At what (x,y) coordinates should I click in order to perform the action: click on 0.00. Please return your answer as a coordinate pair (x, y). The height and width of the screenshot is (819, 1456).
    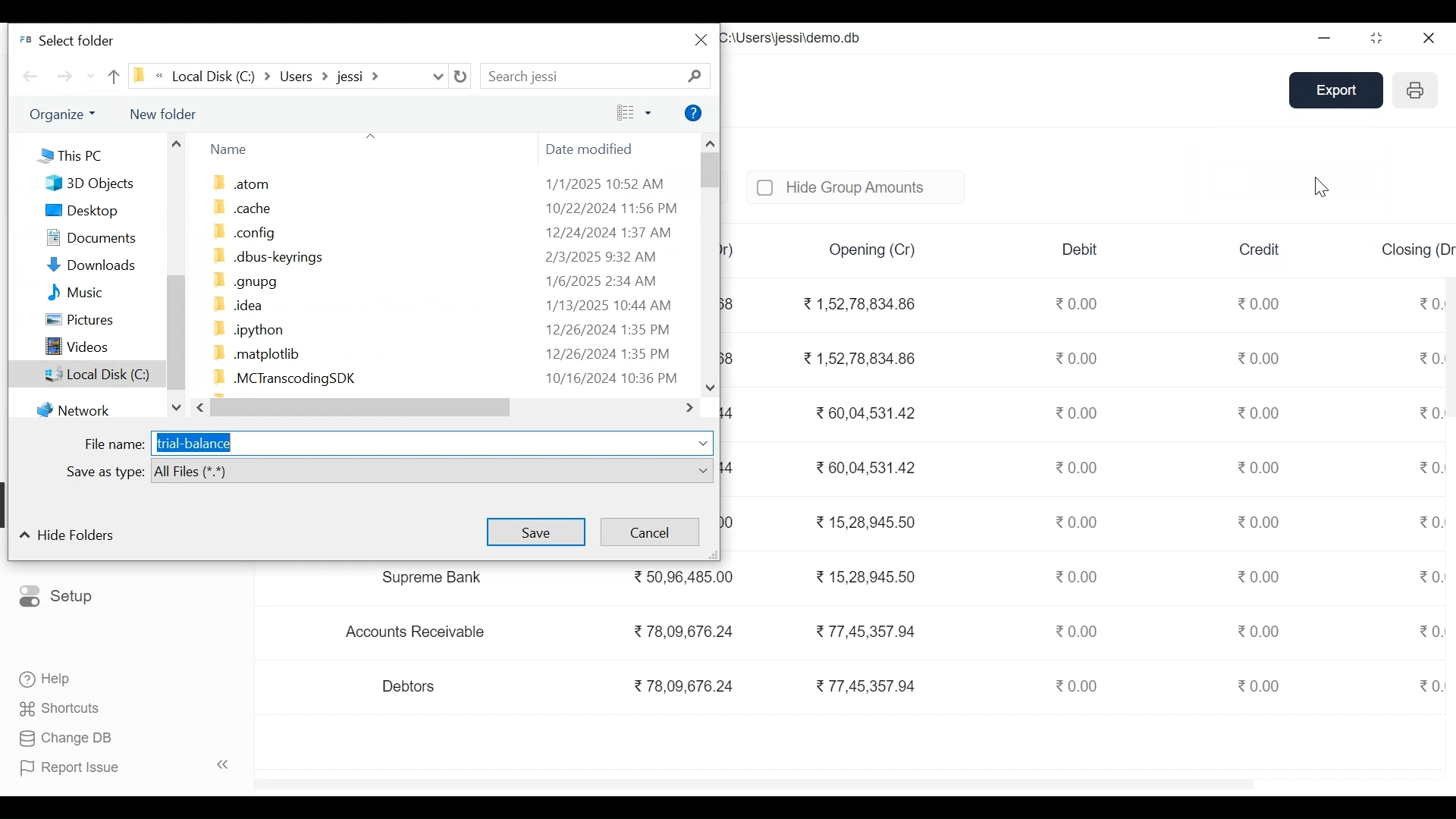
    Looking at the image, I should click on (1076, 522).